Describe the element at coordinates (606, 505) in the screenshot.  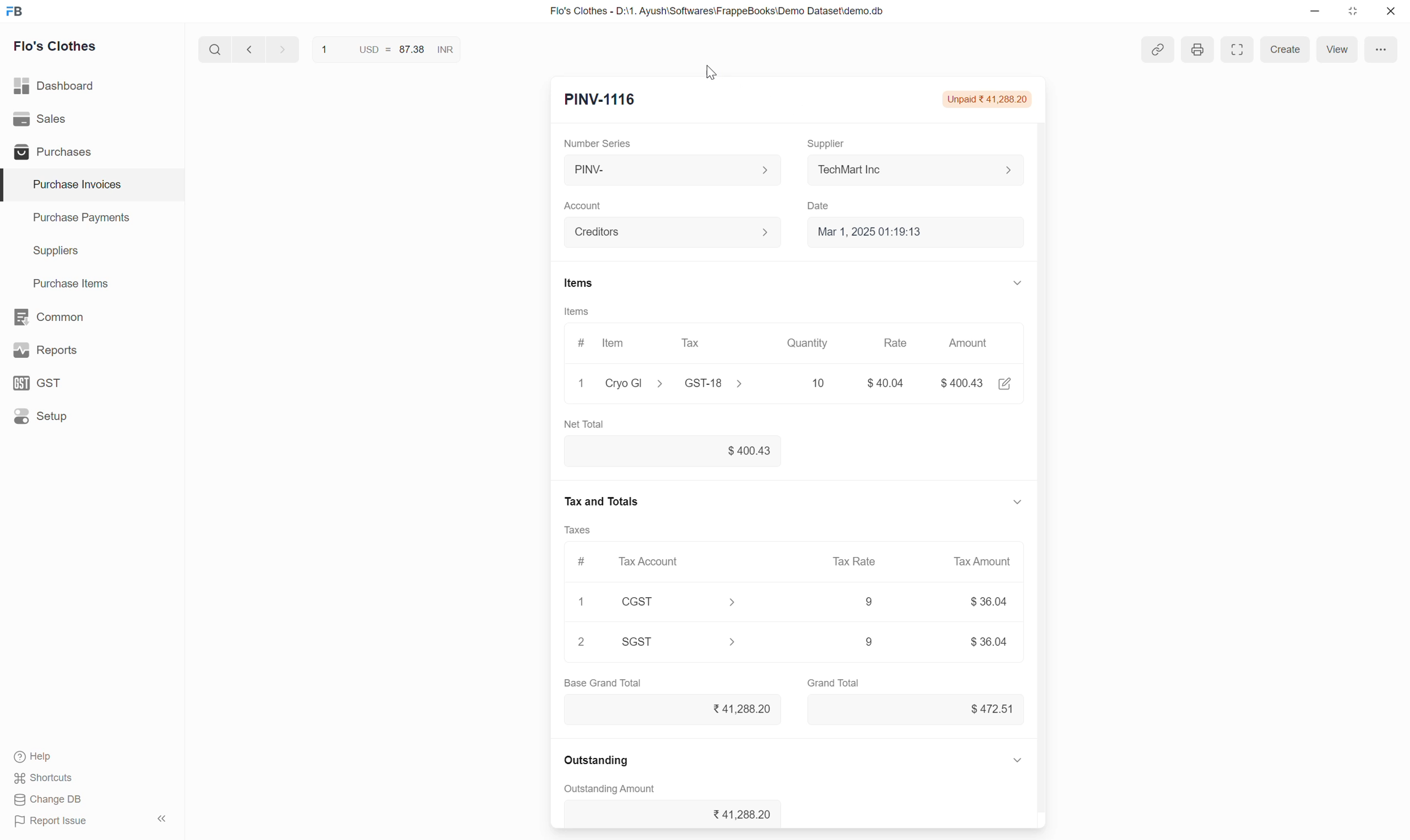
I see `Tax and Totals` at that location.